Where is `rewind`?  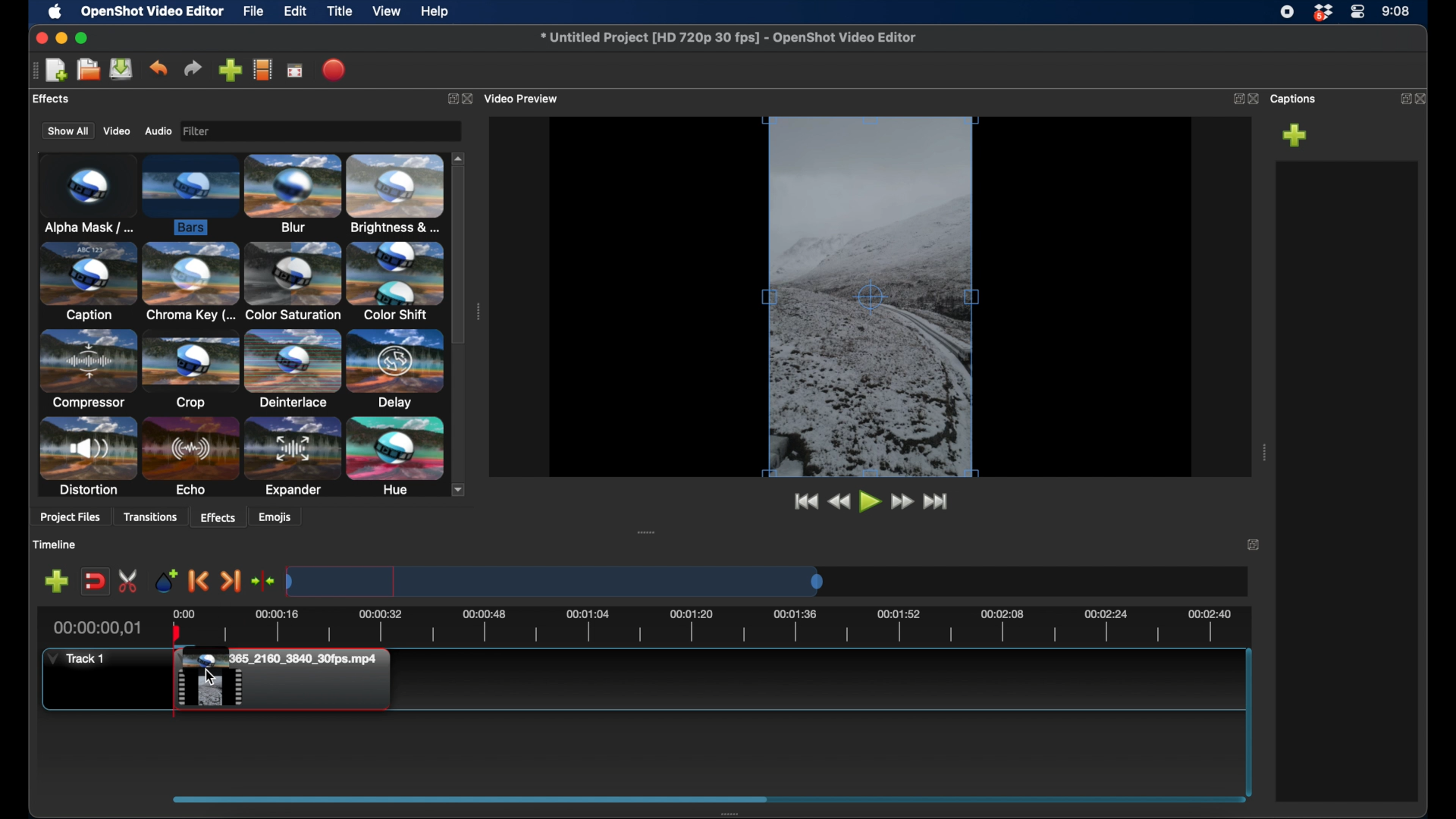 rewind is located at coordinates (839, 501).